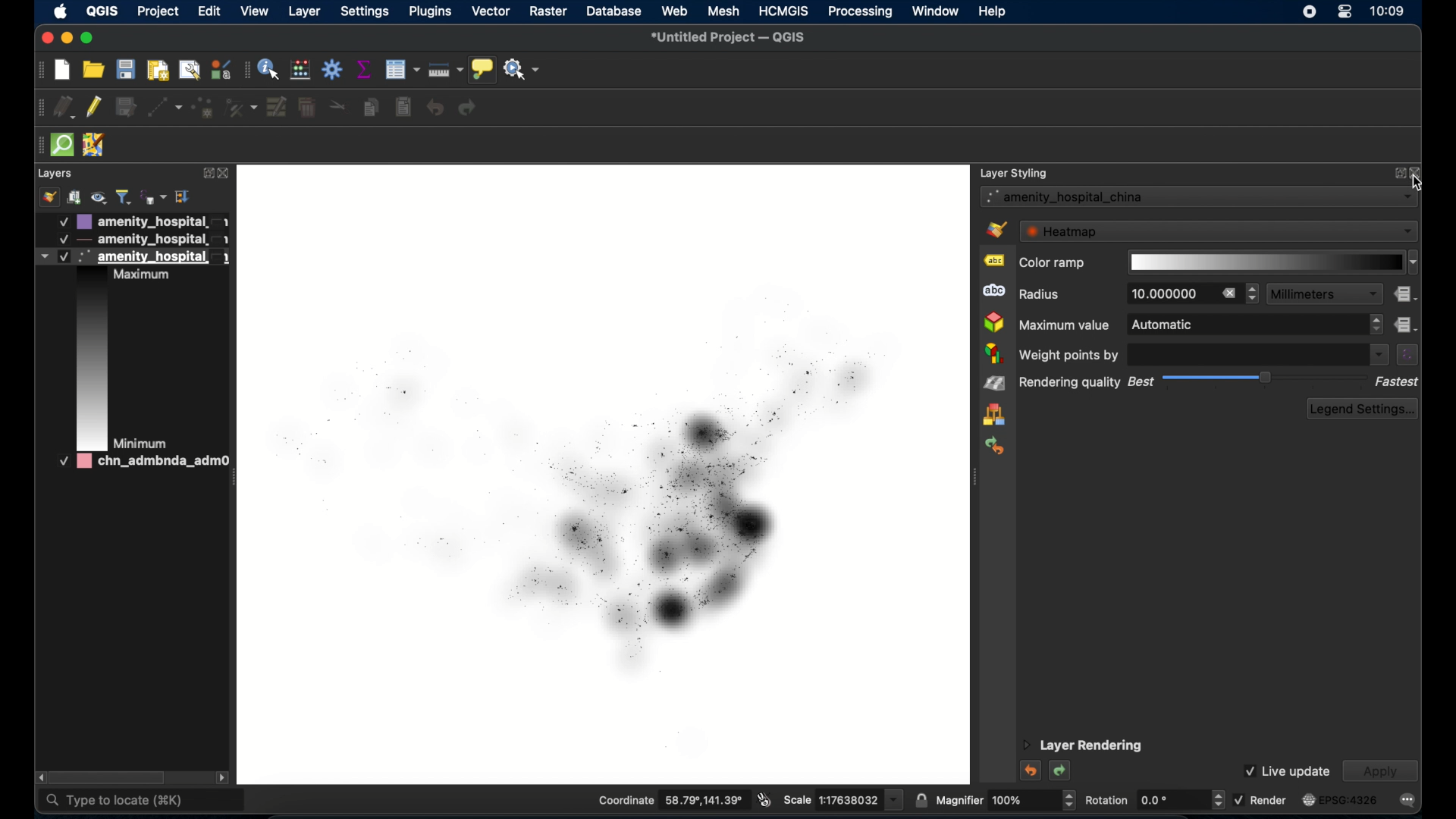 Image resolution: width=1456 pixels, height=819 pixels. I want to click on radius stepper buttons, so click(1193, 293).